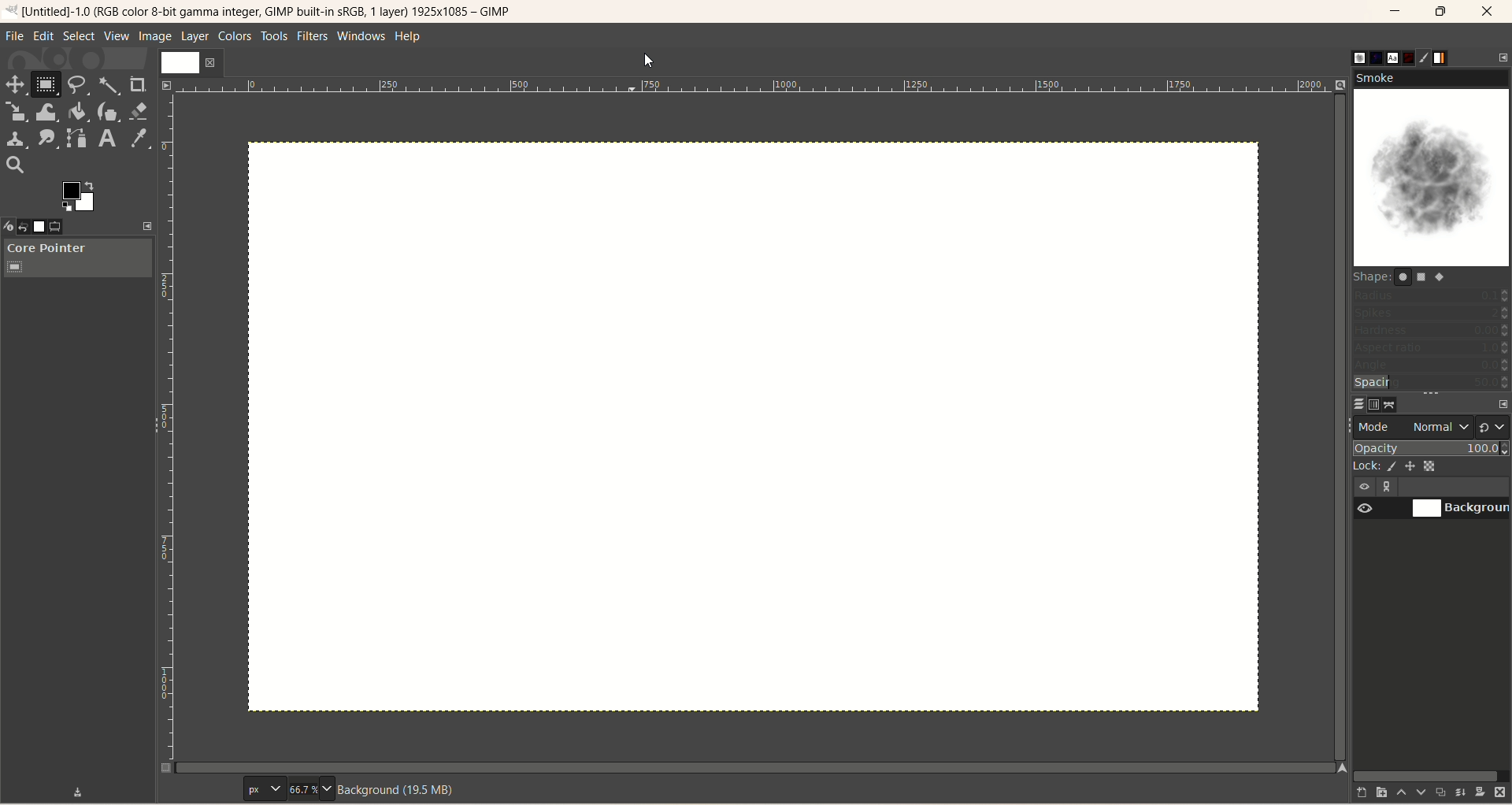  I want to click on hardness, so click(1431, 332).